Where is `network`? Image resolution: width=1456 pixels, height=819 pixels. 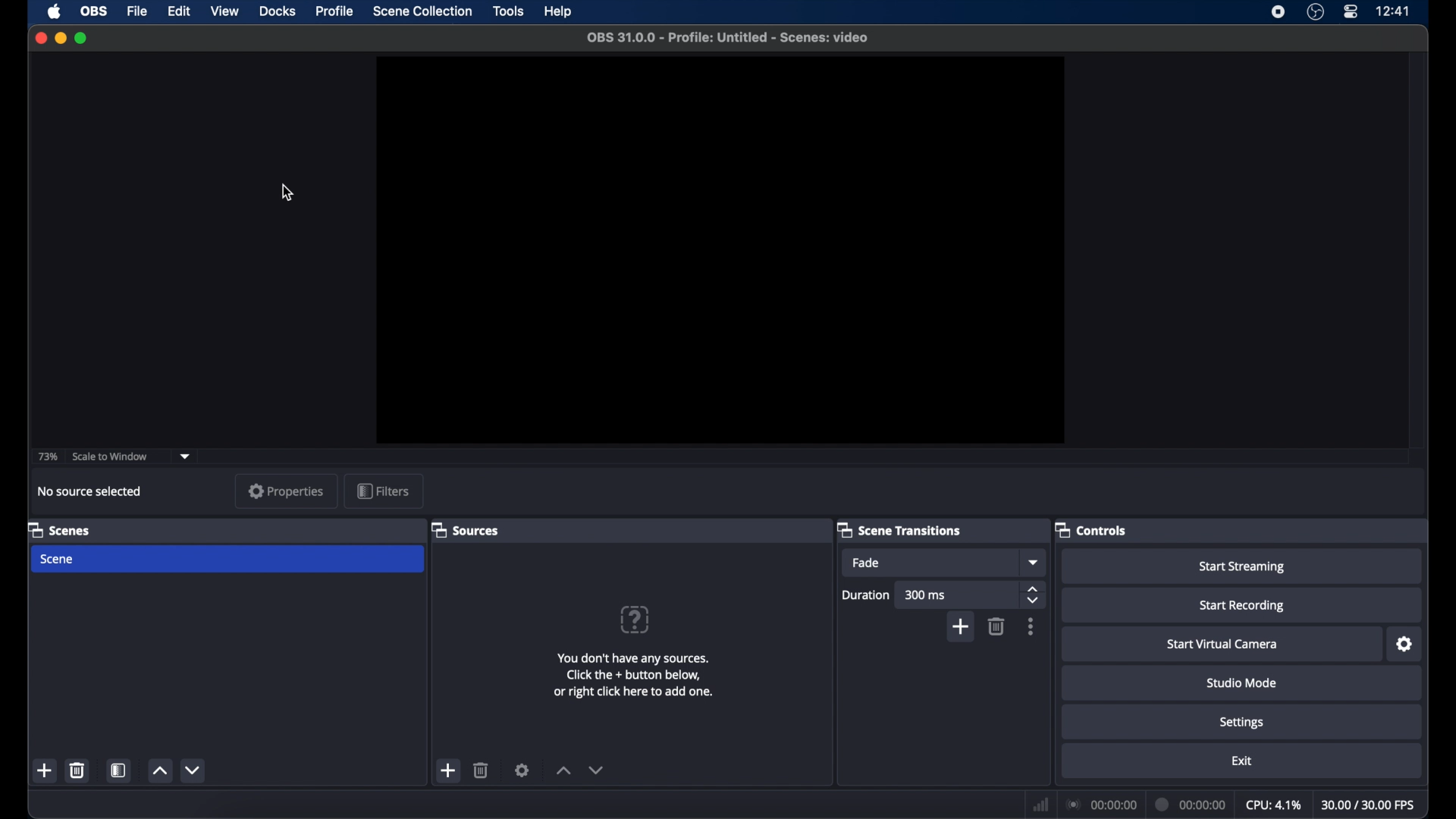
network is located at coordinates (1040, 805).